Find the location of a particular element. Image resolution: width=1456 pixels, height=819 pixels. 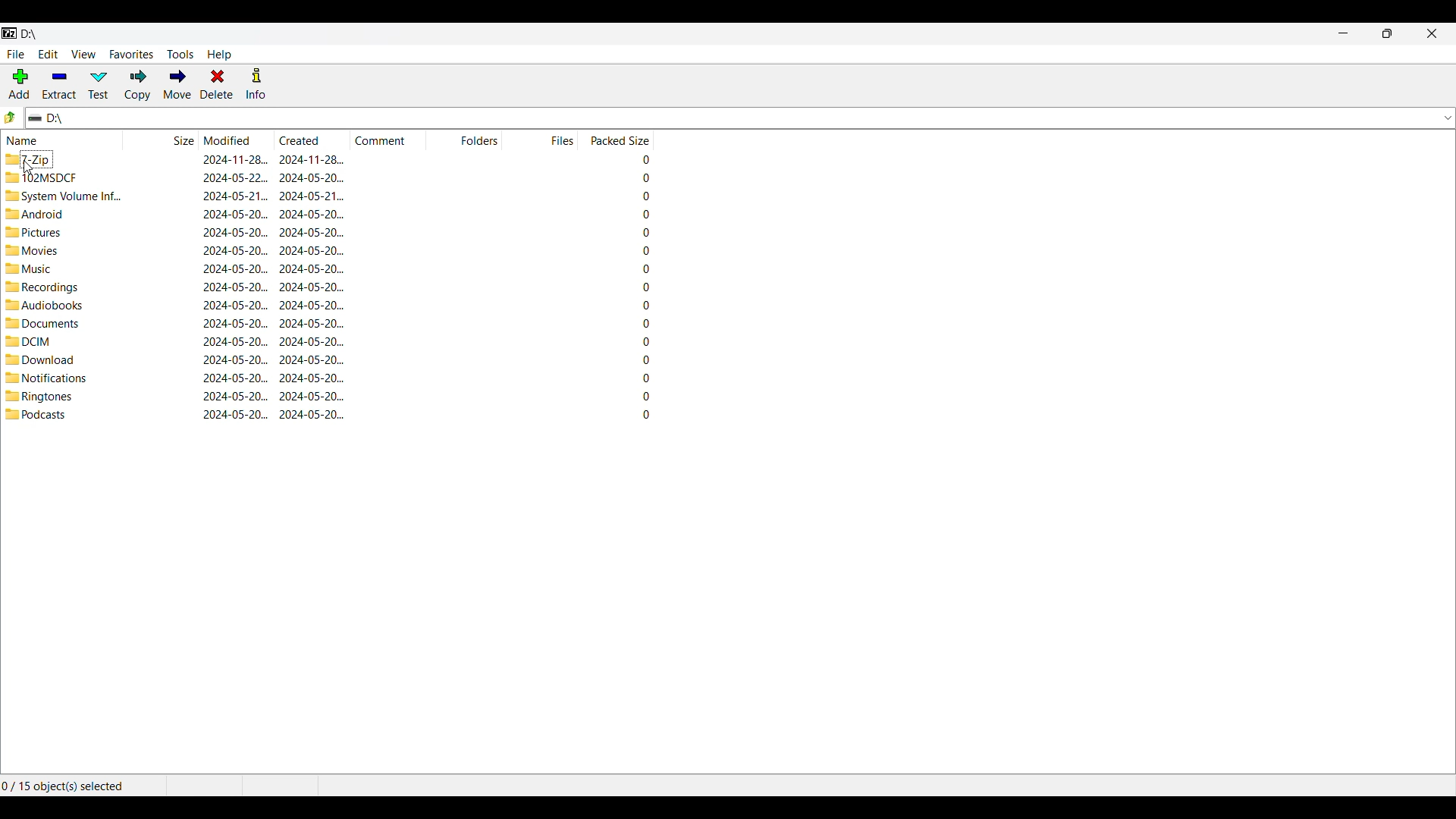

packed size is located at coordinates (640, 287).